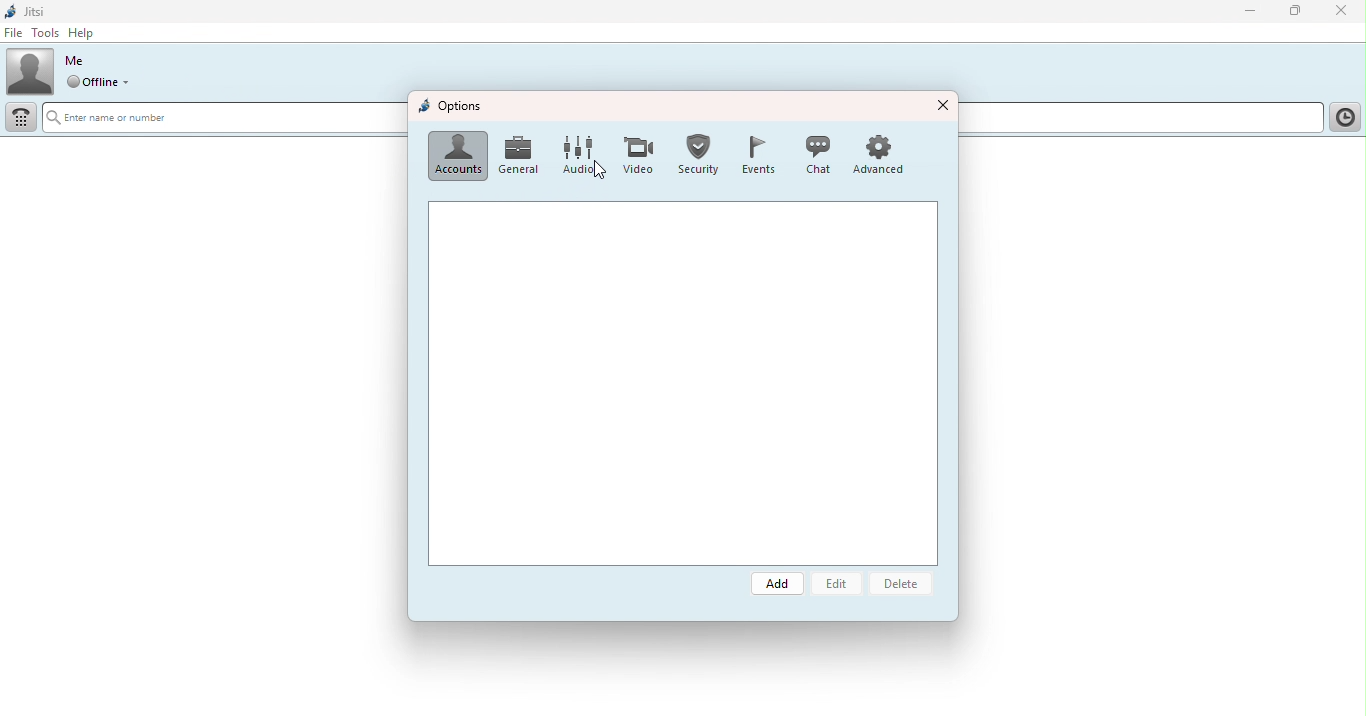  I want to click on Enter name or number, so click(222, 120).